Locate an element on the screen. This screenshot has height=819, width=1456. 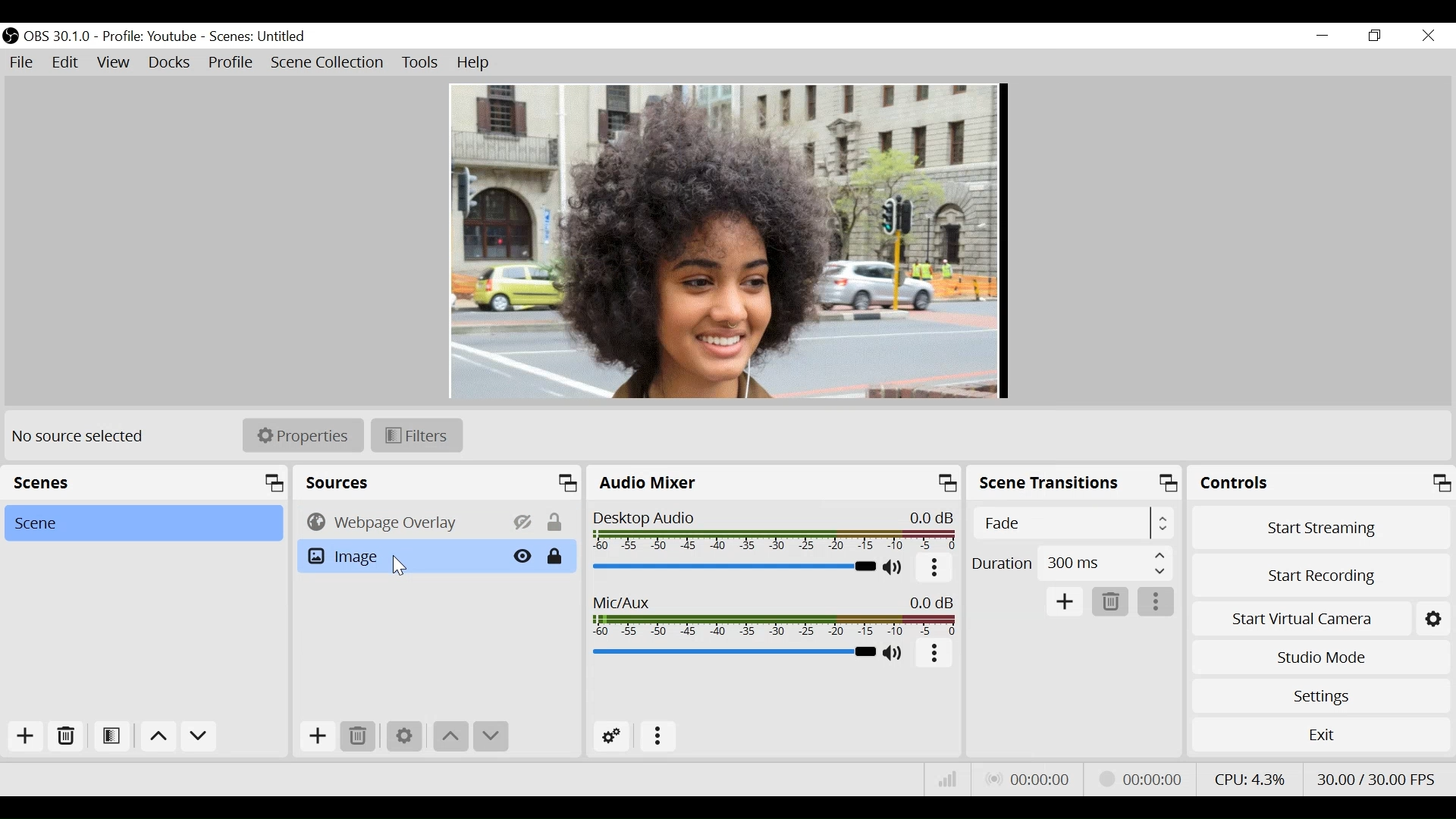
(un)mute is located at coordinates (895, 654).